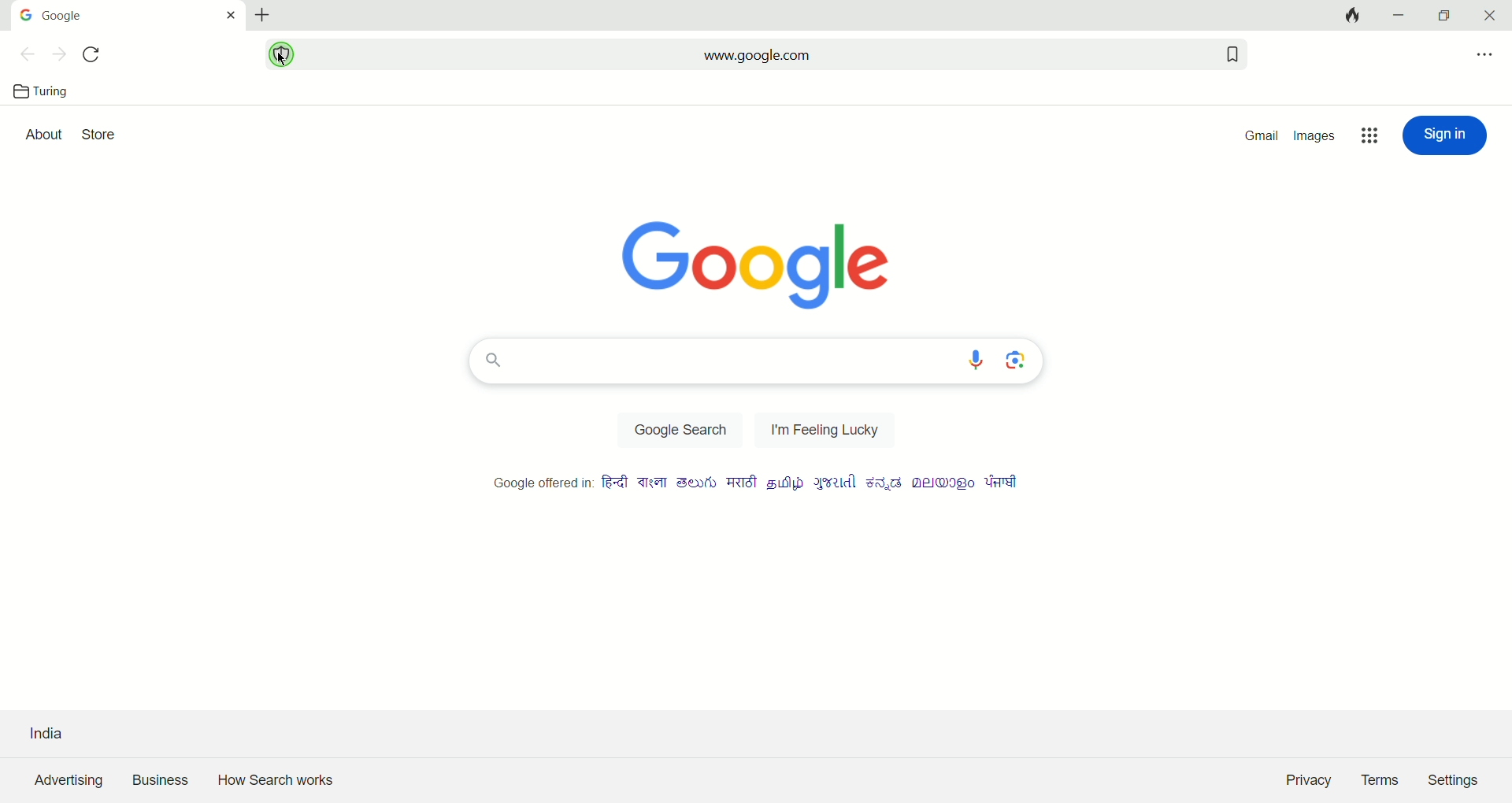 This screenshot has height=803, width=1512. Describe the element at coordinates (707, 361) in the screenshot. I see `search bar` at that location.